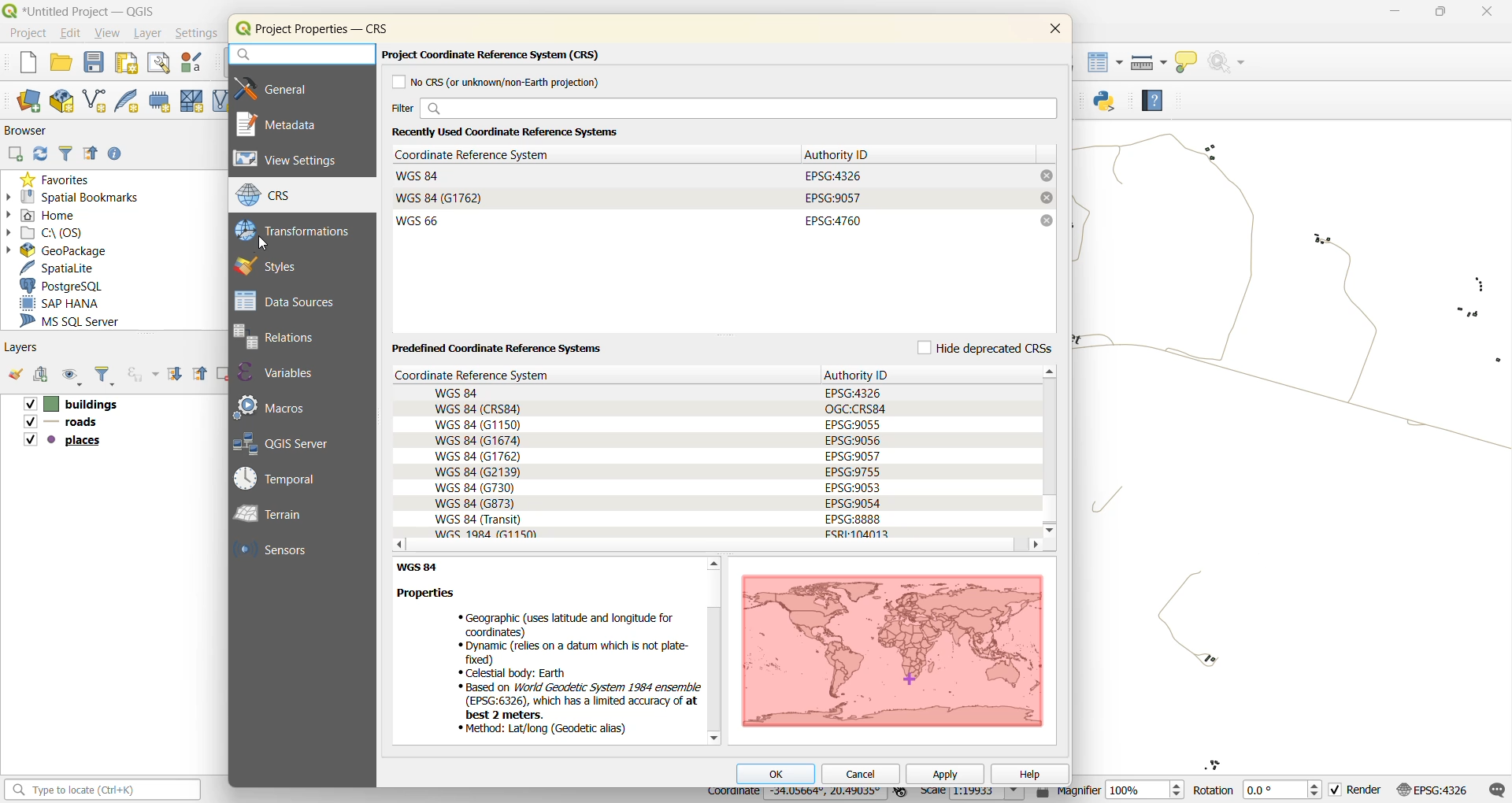  I want to click on Predefined Coordinate Reference Systems, so click(499, 349).